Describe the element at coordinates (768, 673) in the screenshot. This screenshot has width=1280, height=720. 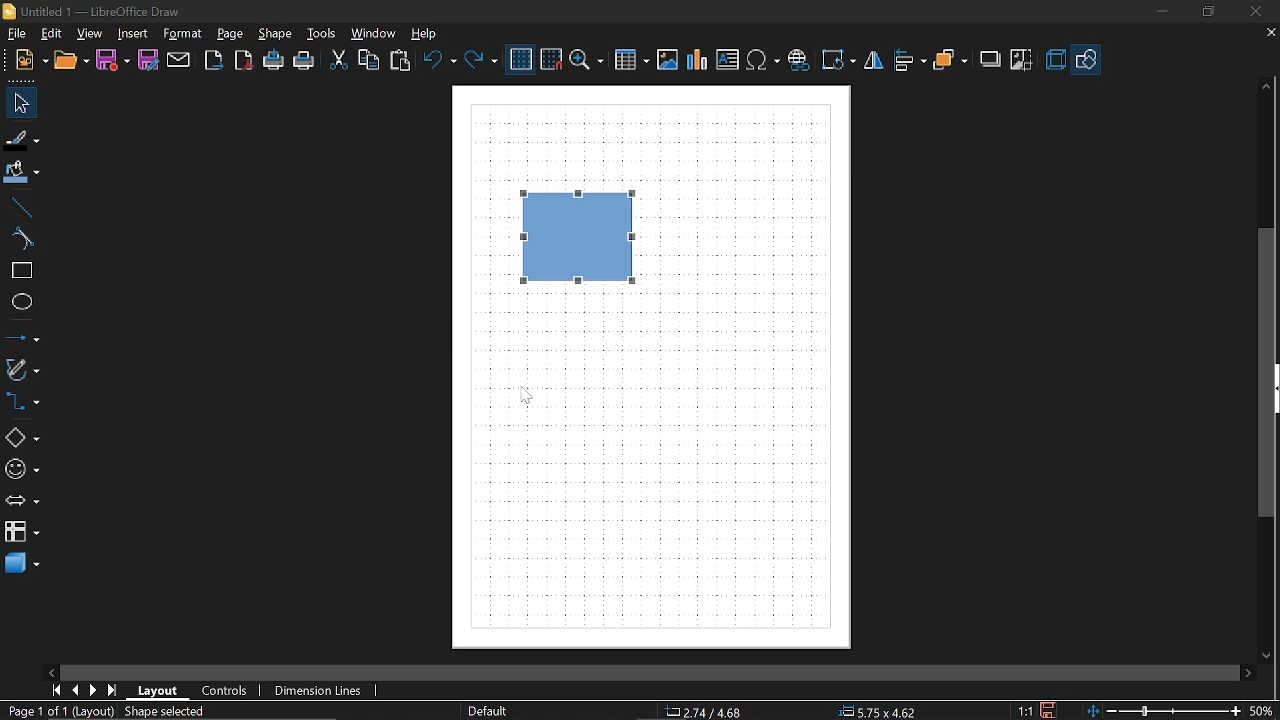
I see `Horizontal scroll bar` at that location.